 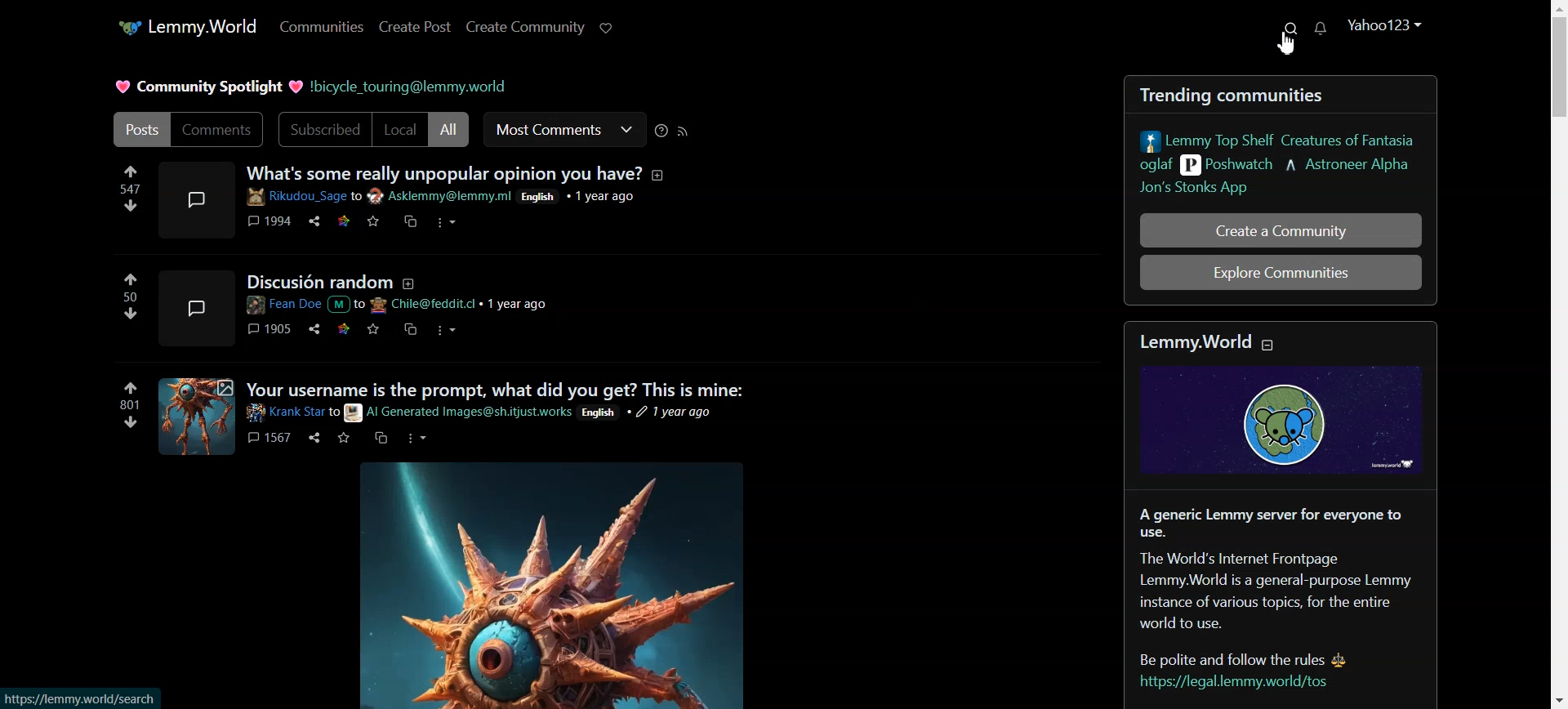 What do you see at coordinates (1242, 93) in the screenshot?
I see `Trending communities` at bounding box center [1242, 93].